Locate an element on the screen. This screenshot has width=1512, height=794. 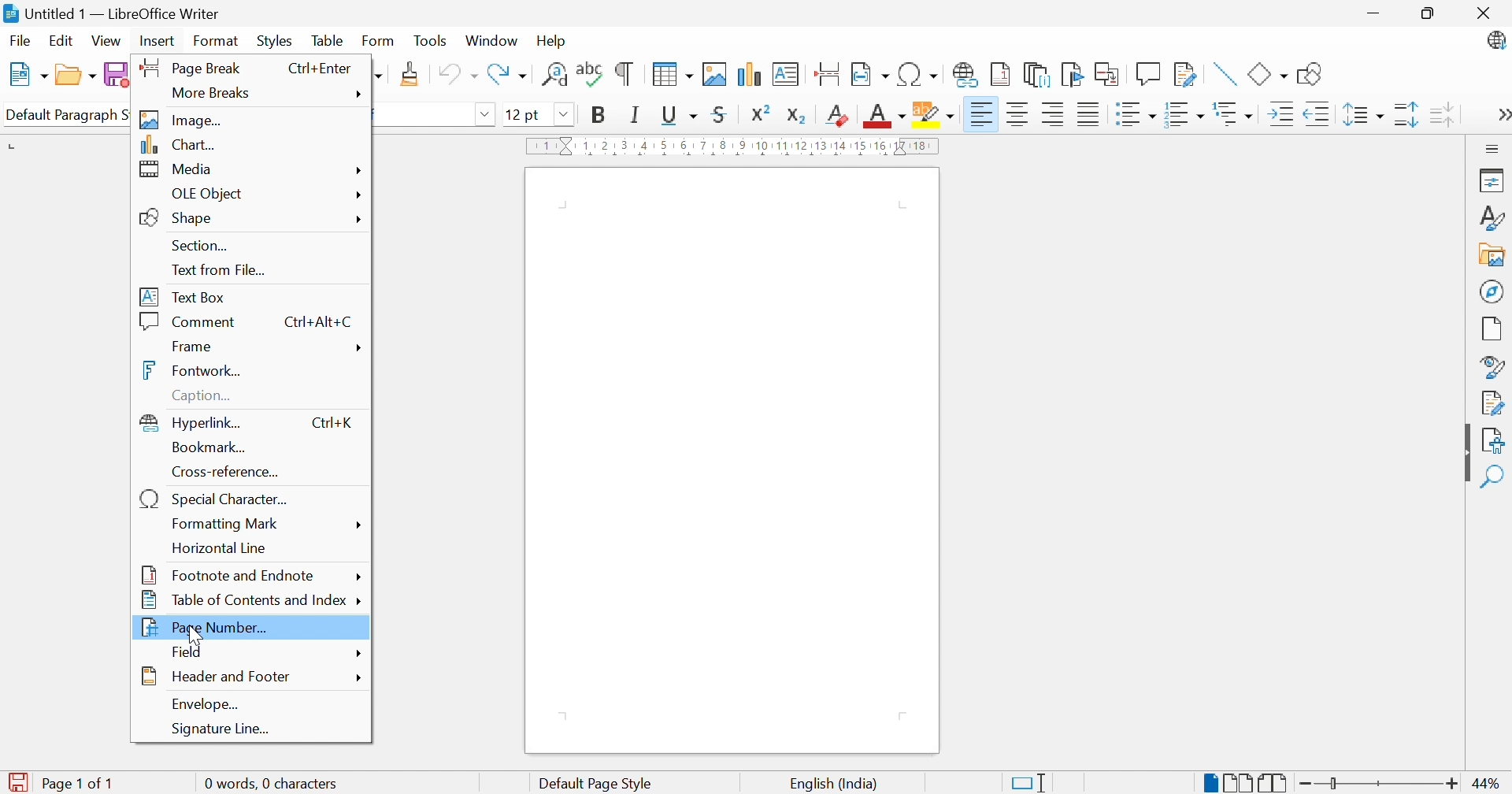
Table is located at coordinates (327, 40).